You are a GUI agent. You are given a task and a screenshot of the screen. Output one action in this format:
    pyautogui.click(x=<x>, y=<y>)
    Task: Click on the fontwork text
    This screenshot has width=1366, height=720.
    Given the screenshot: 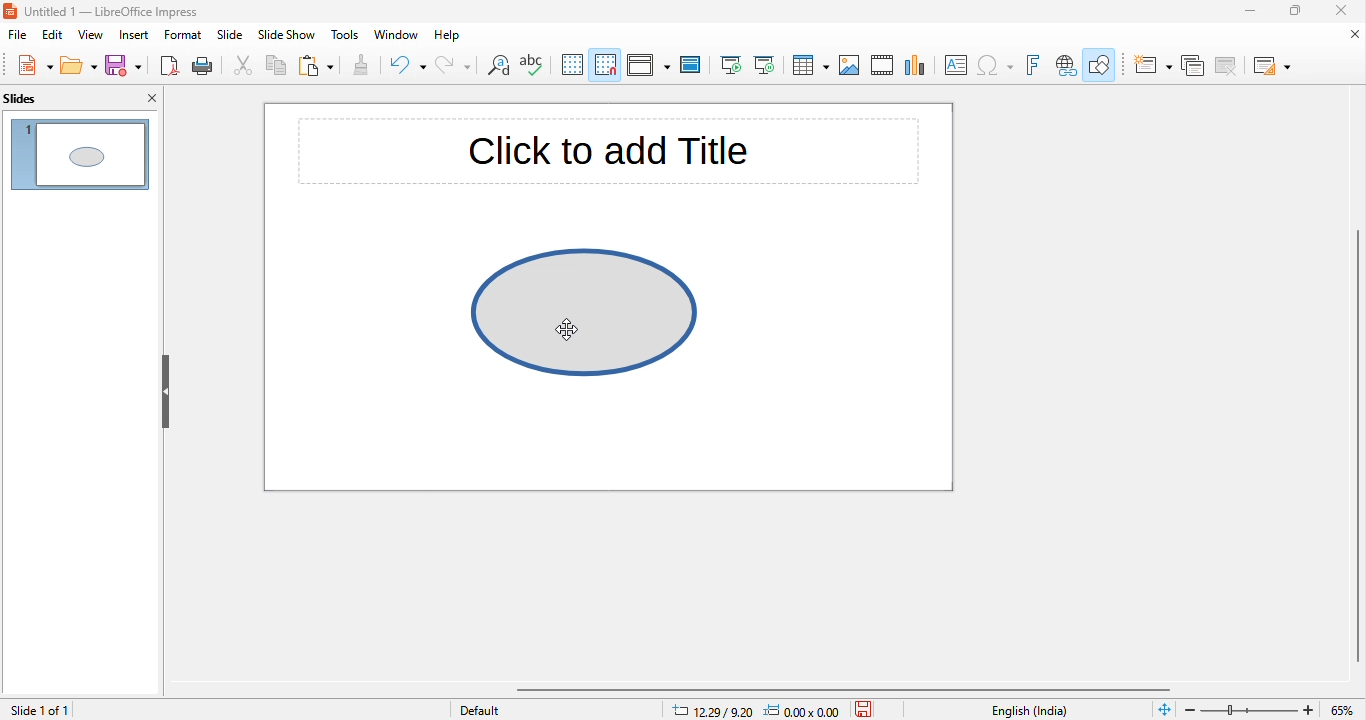 What is the action you would take?
    pyautogui.click(x=1036, y=66)
    